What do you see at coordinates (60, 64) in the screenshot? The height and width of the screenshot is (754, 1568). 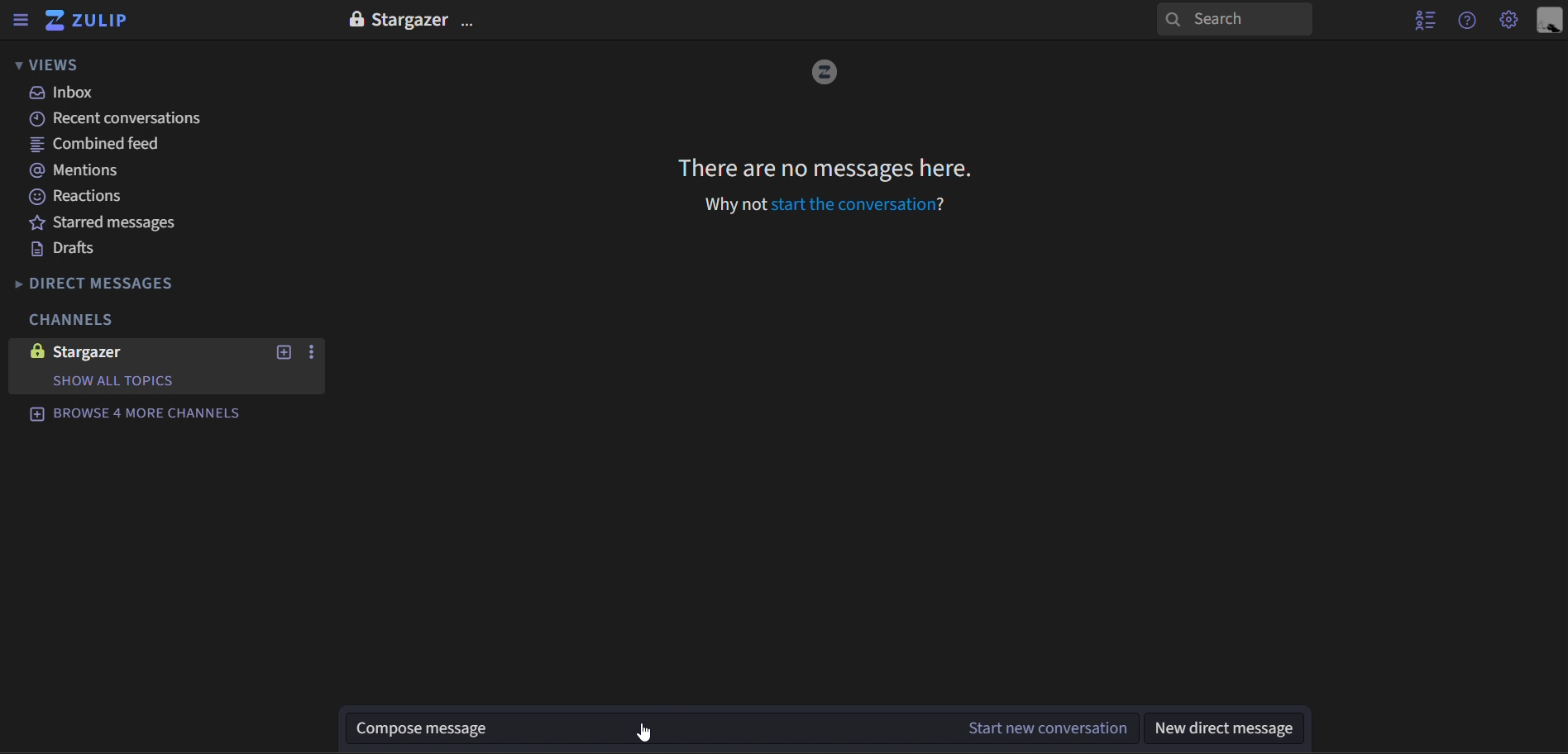 I see `views` at bounding box center [60, 64].